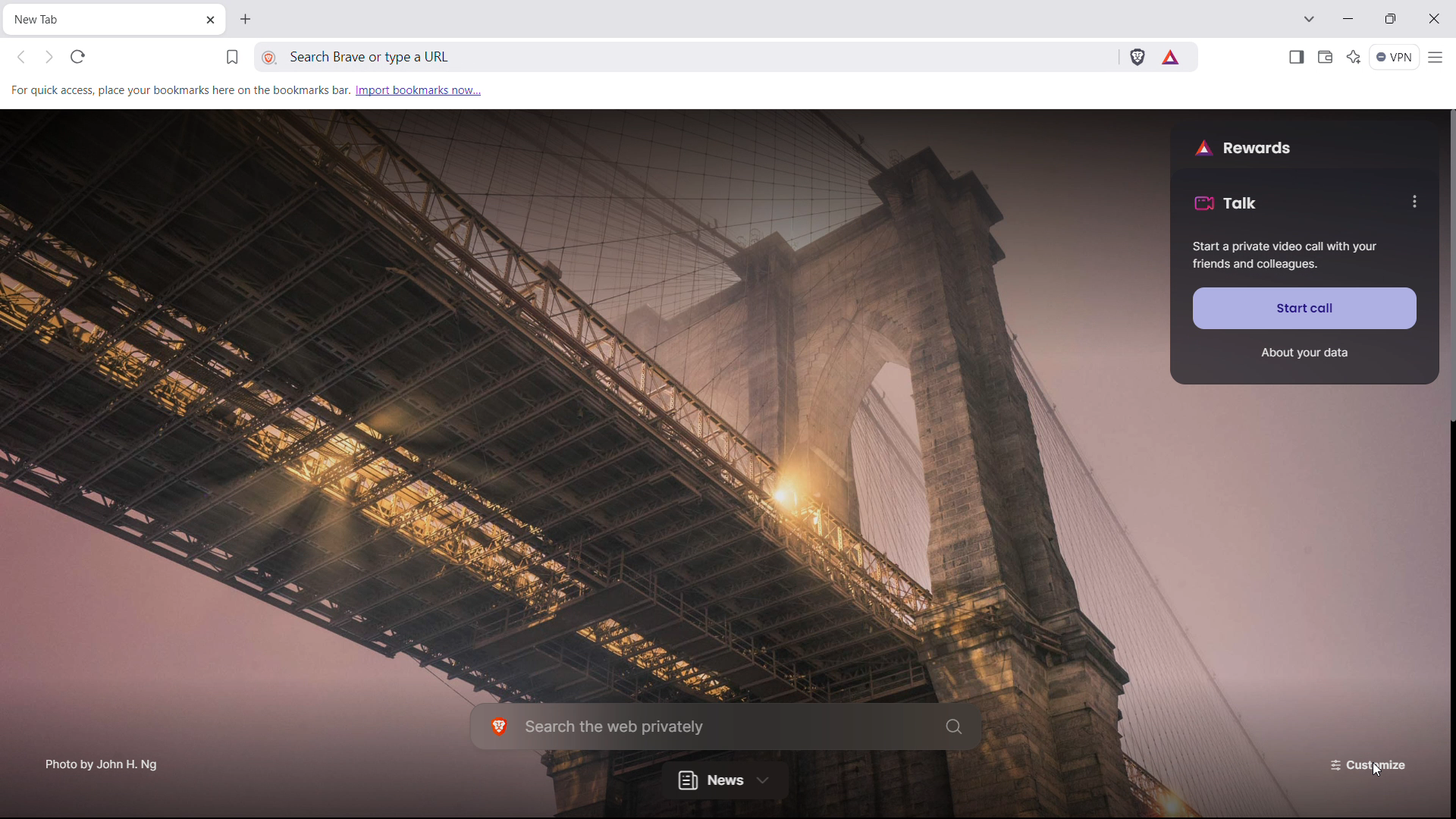 The height and width of the screenshot is (819, 1456). What do you see at coordinates (1354, 57) in the screenshot?
I see `leo AI` at bounding box center [1354, 57].